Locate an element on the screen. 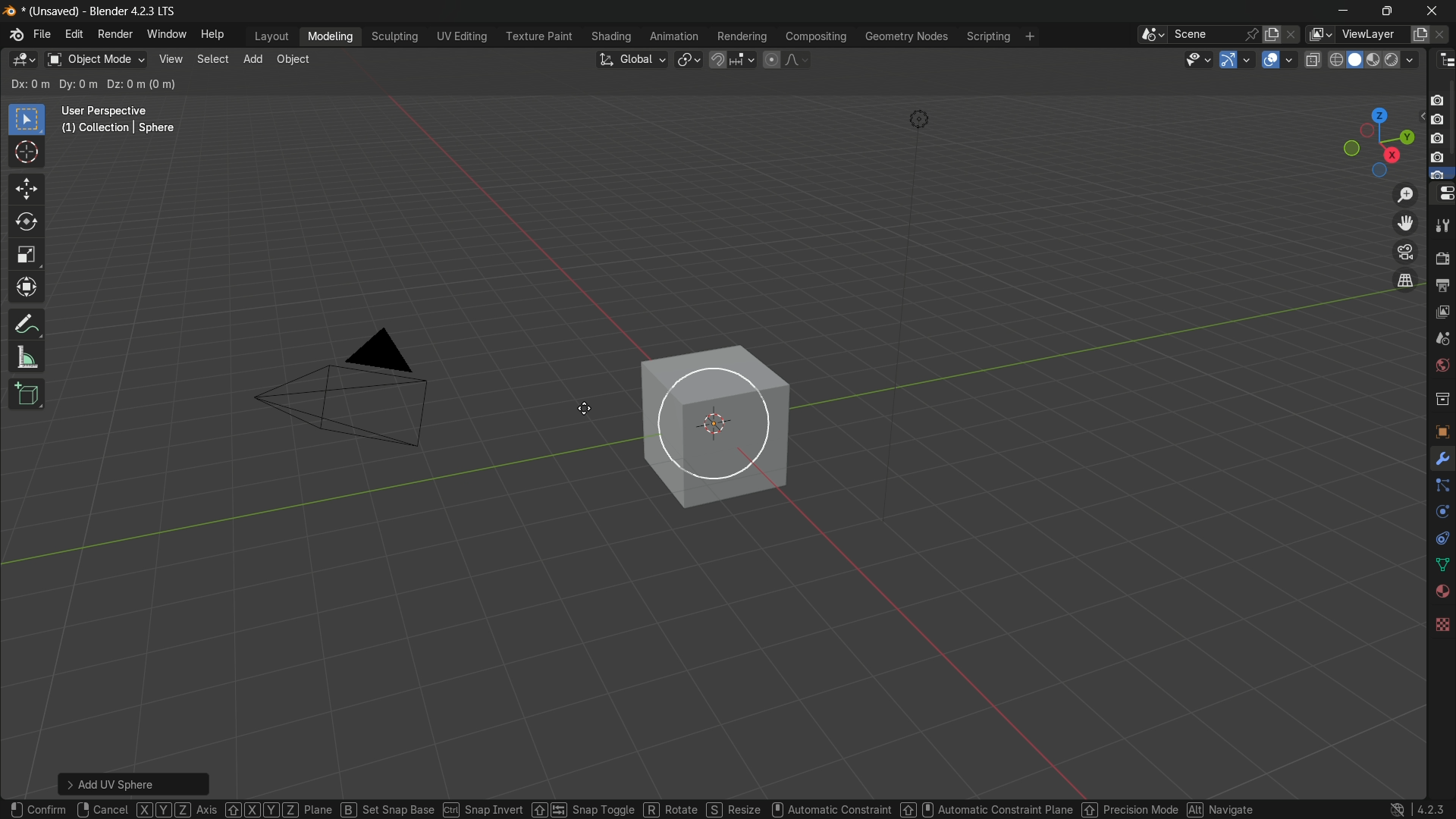 The height and width of the screenshot is (819, 1456). uv editing menu is located at coordinates (462, 36).